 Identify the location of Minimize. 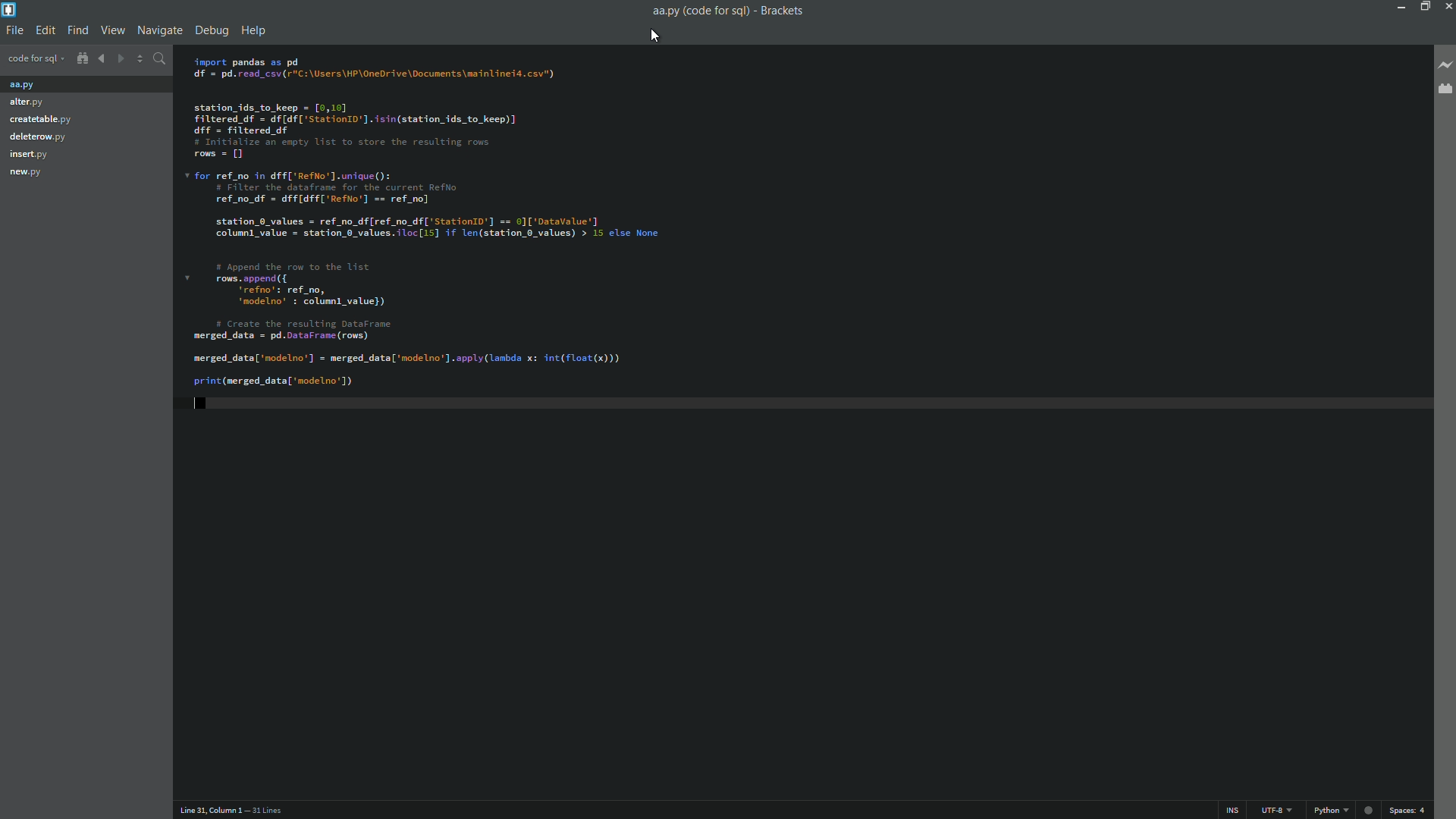
(1398, 6).